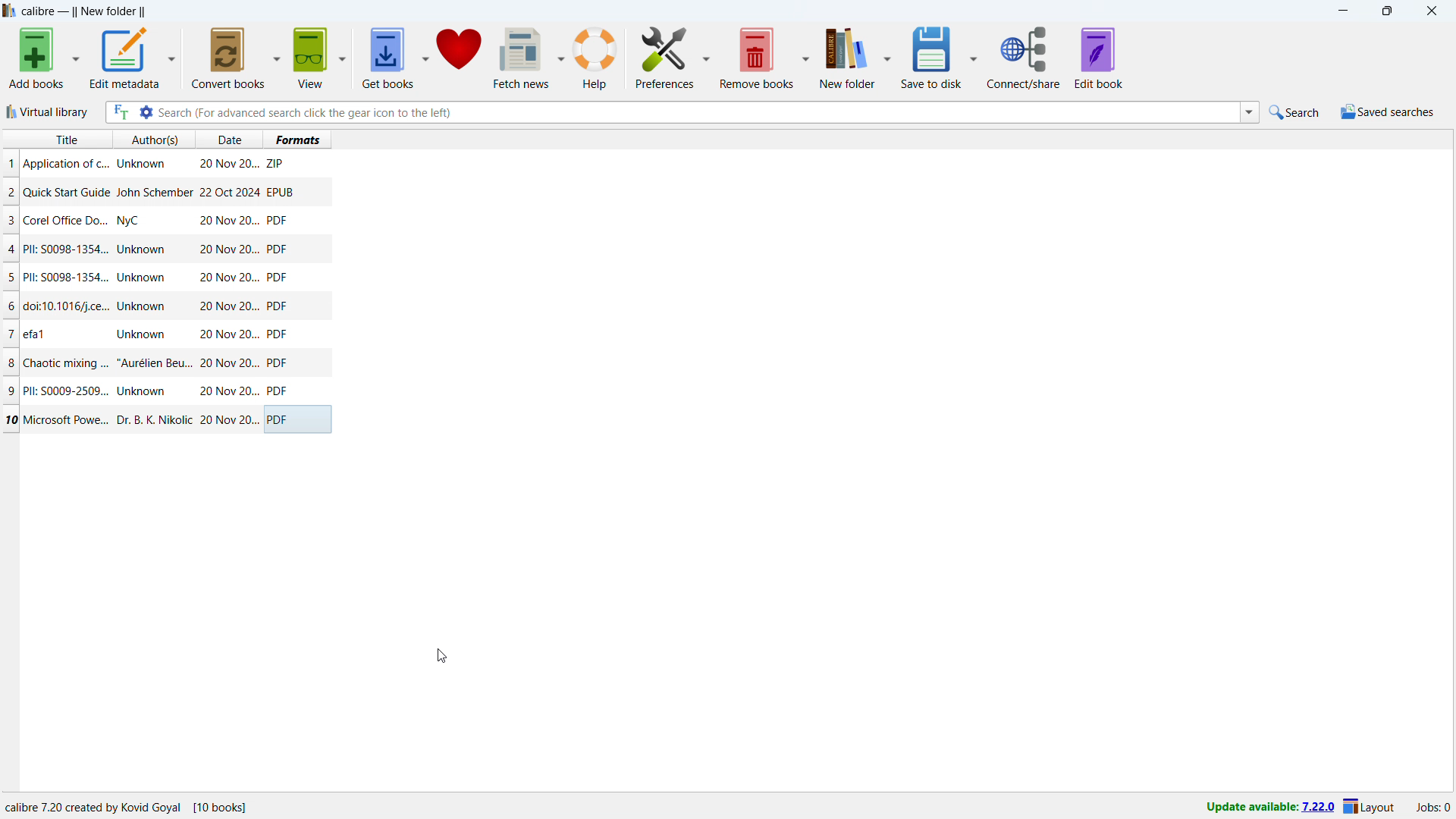  Describe the element at coordinates (14, 391) in the screenshot. I see `9` at that location.